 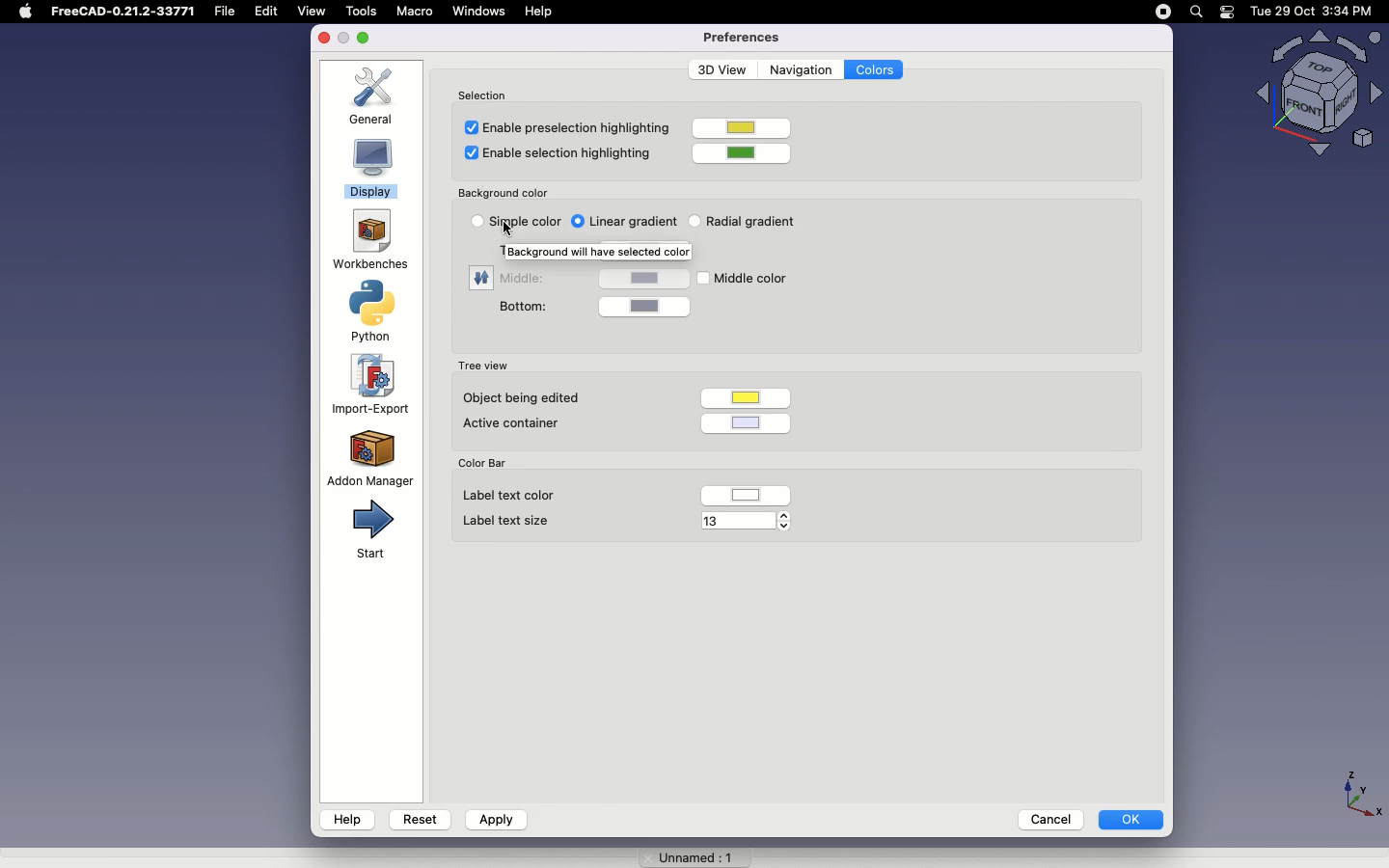 What do you see at coordinates (1228, 14) in the screenshot?
I see `battery` at bounding box center [1228, 14].